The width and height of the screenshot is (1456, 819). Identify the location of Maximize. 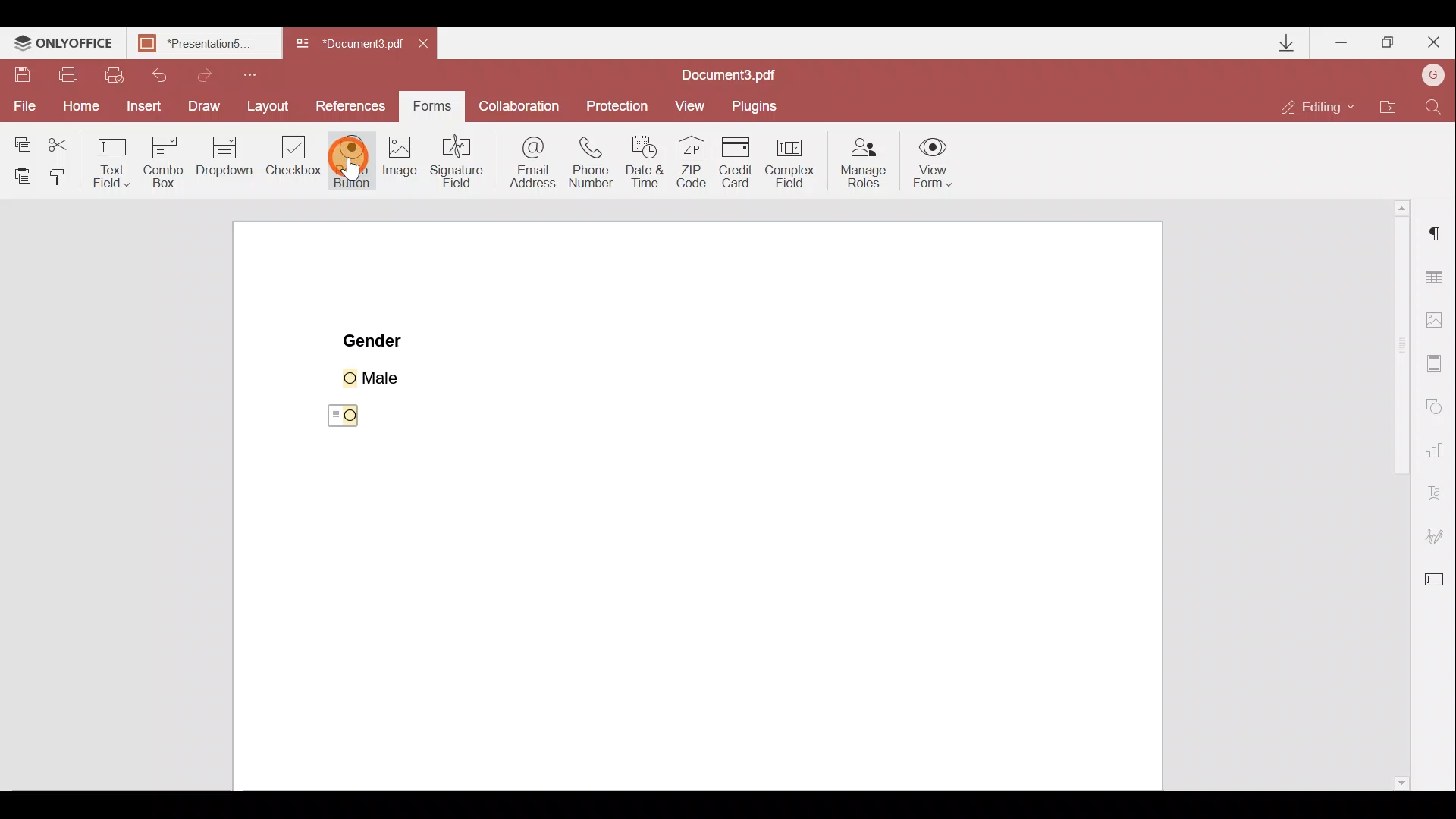
(1389, 41).